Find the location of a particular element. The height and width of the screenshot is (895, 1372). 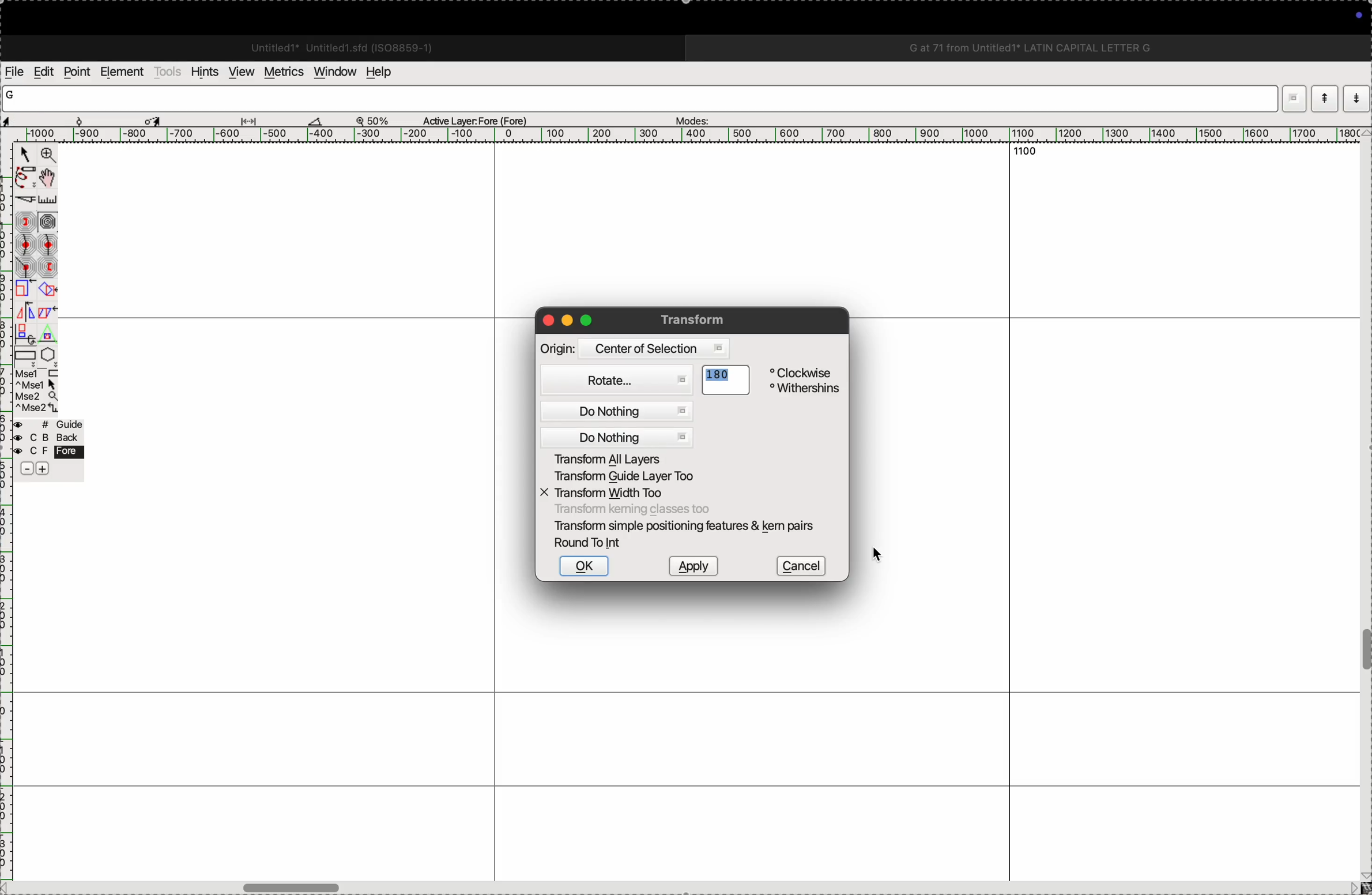

rectangle/ellipse is located at coordinates (26, 355).